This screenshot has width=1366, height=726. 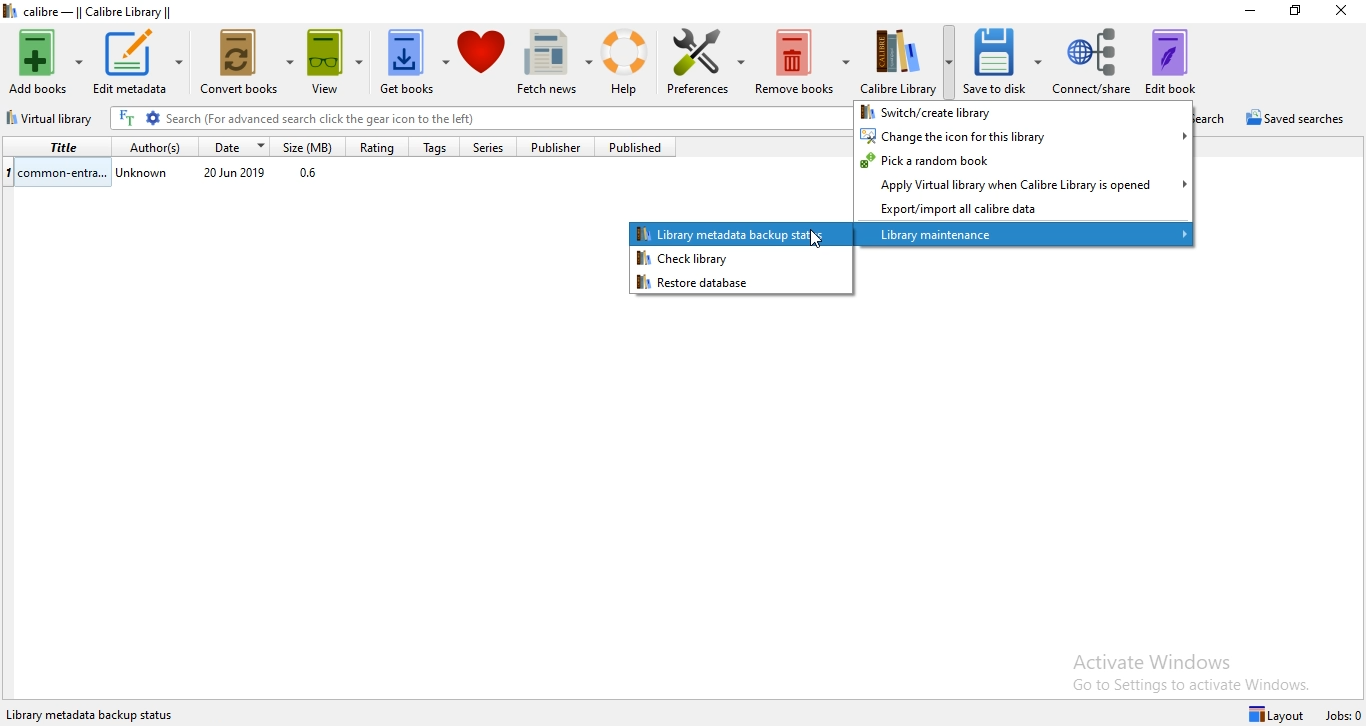 What do you see at coordinates (236, 146) in the screenshot?
I see `Date` at bounding box center [236, 146].